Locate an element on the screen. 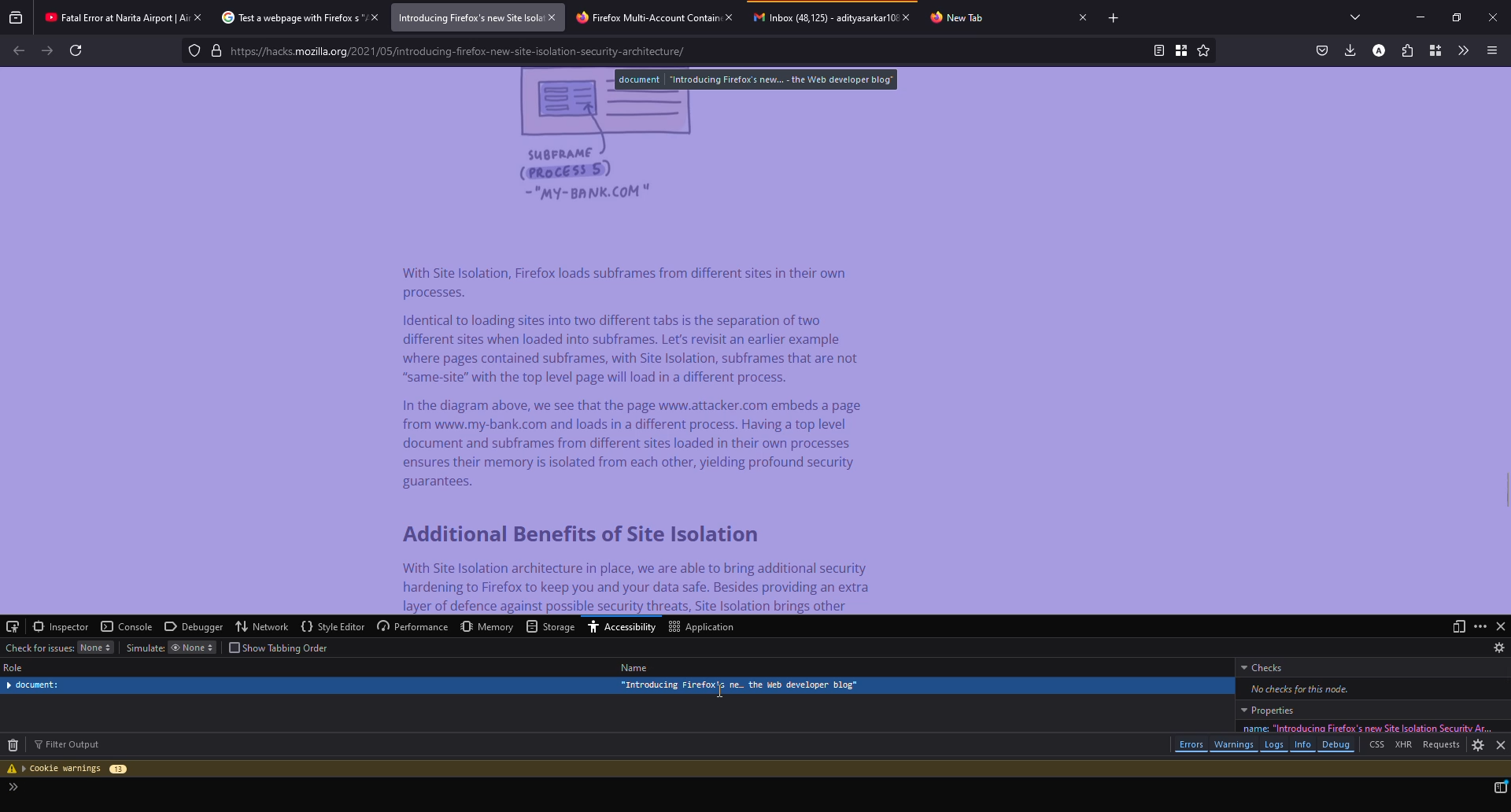  close is located at coordinates (553, 17).